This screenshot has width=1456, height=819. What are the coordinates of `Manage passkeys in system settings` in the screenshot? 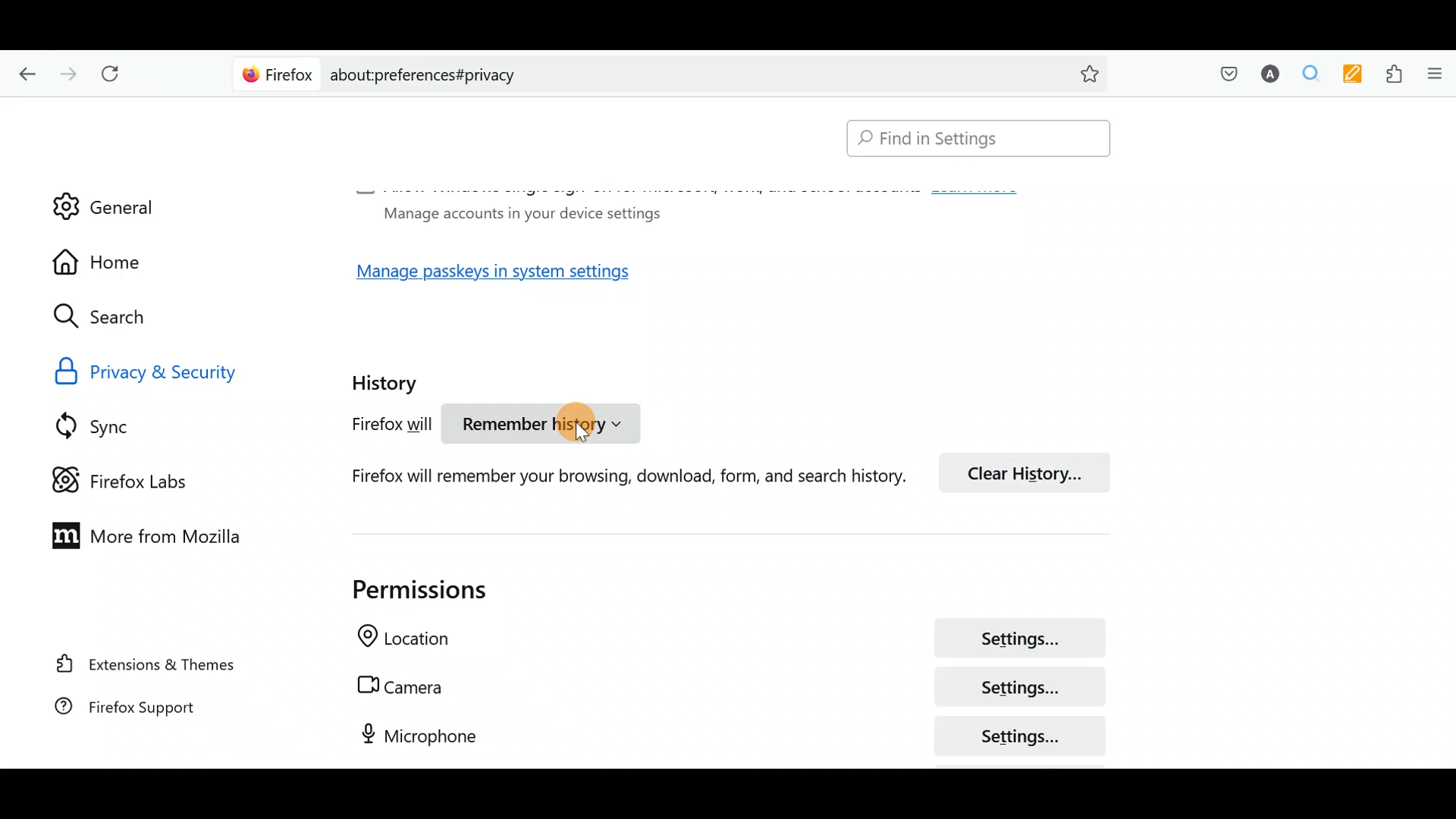 It's located at (510, 276).